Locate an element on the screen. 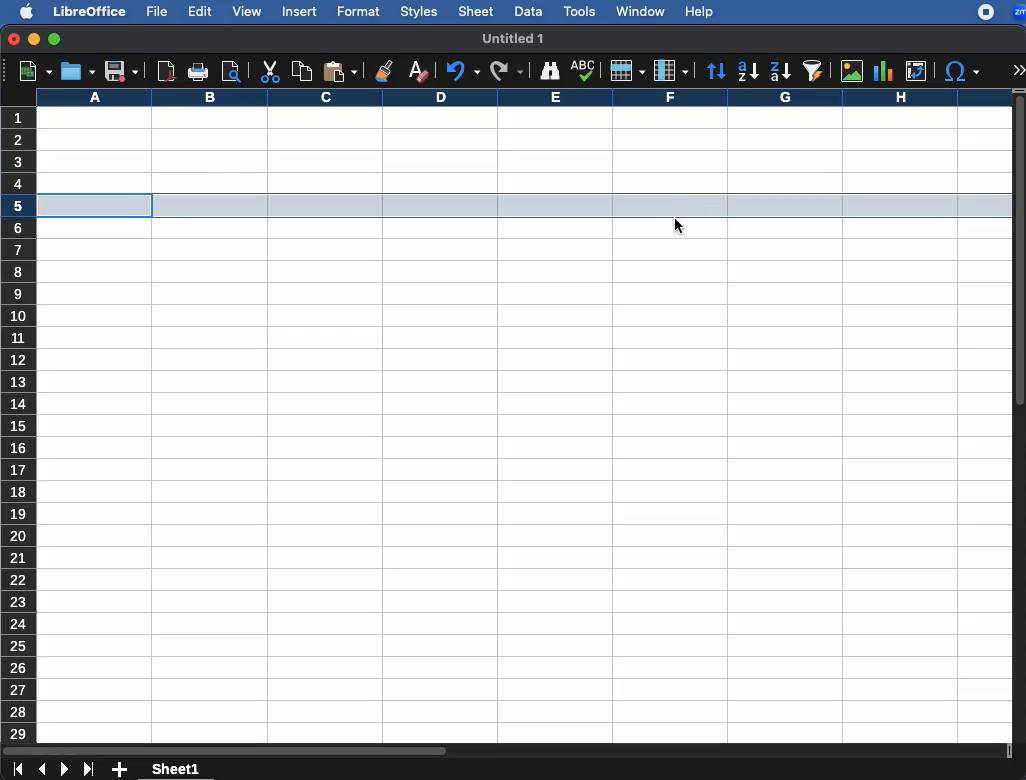 The height and width of the screenshot is (780, 1026). clear formatting is located at coordinates (416, 70).